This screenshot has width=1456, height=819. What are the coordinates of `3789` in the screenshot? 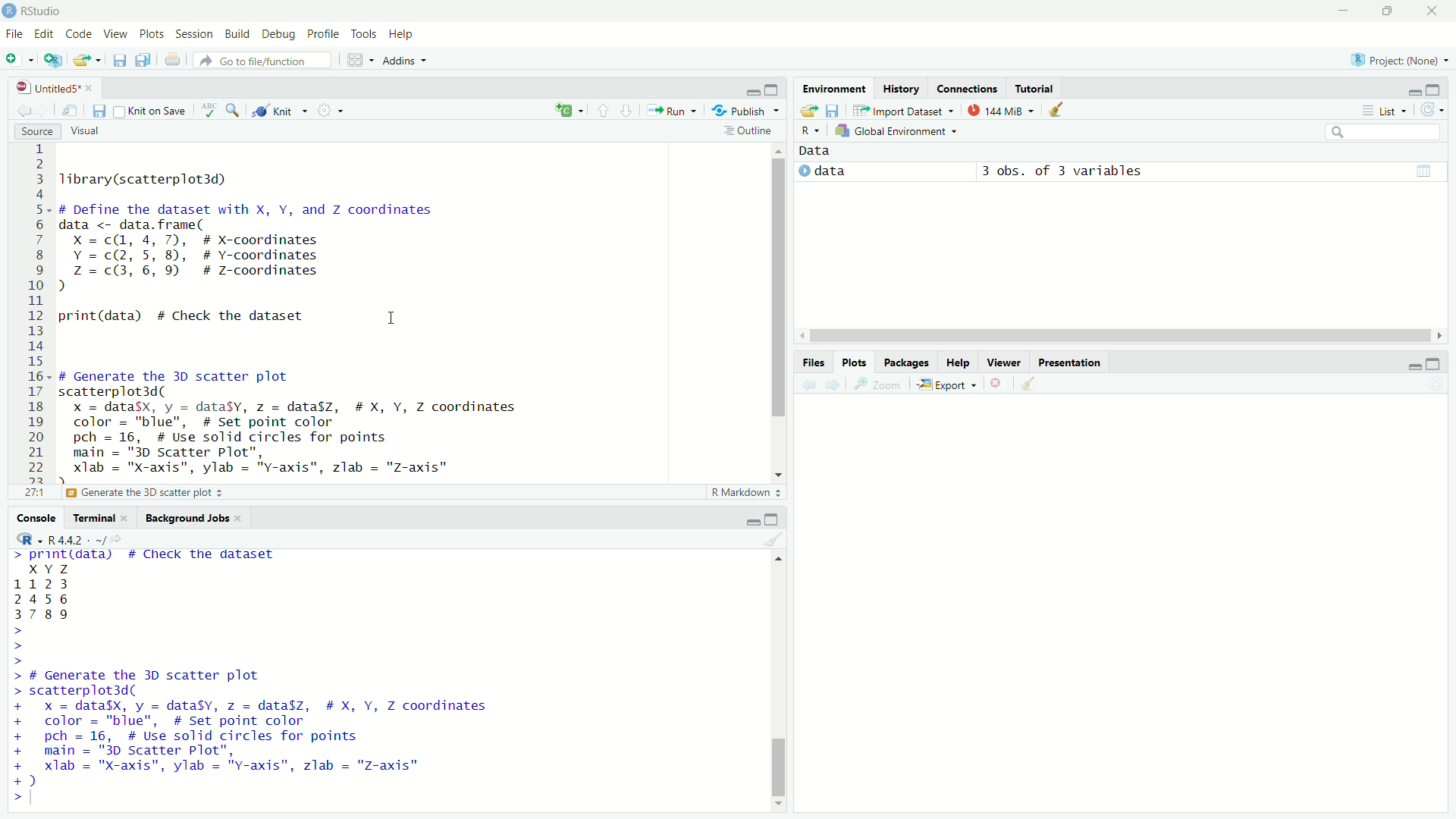 It's located at (44, 616).